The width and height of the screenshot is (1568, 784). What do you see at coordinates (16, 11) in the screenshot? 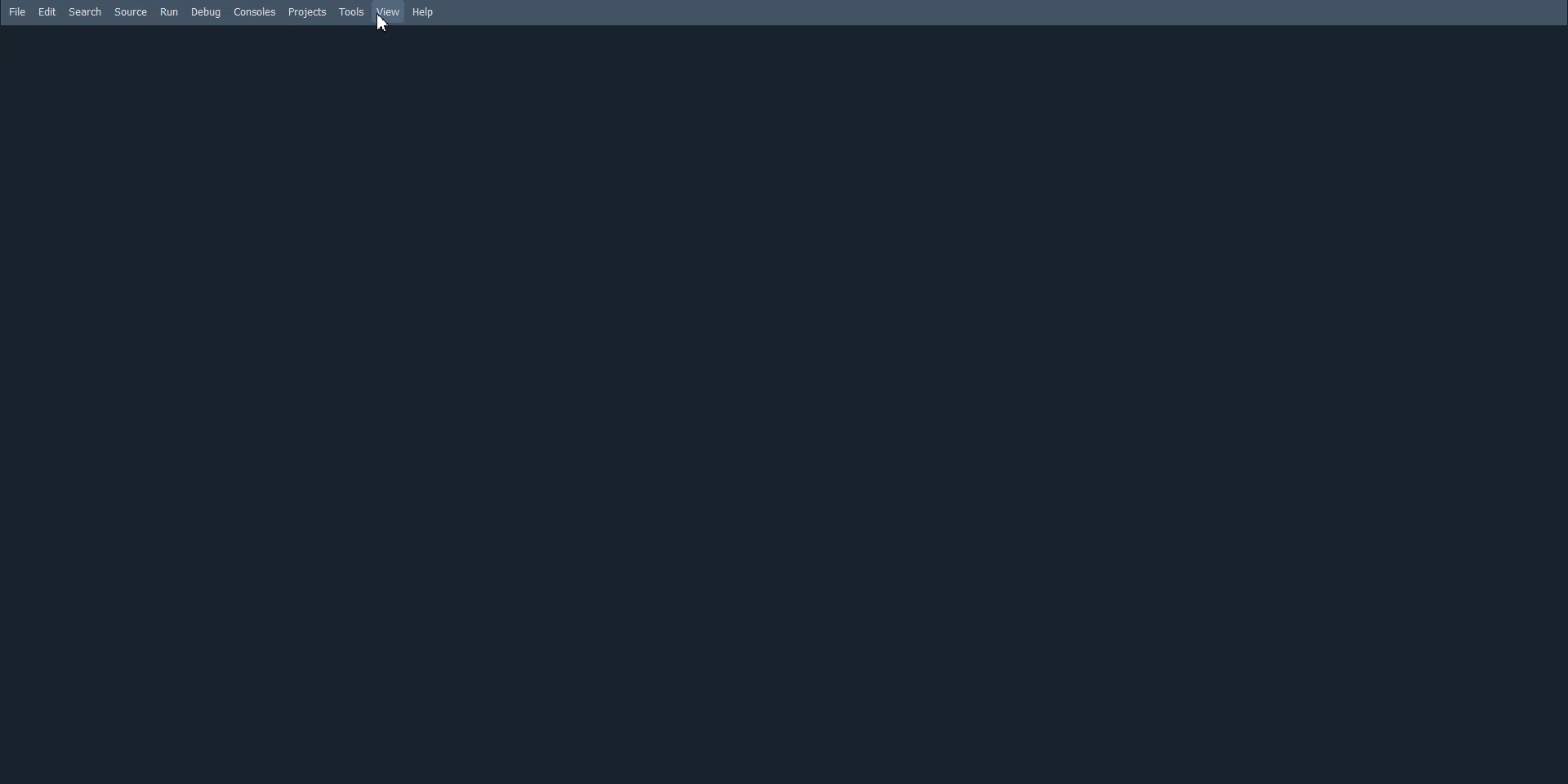
I see `File` at bounding box center [16, 11].